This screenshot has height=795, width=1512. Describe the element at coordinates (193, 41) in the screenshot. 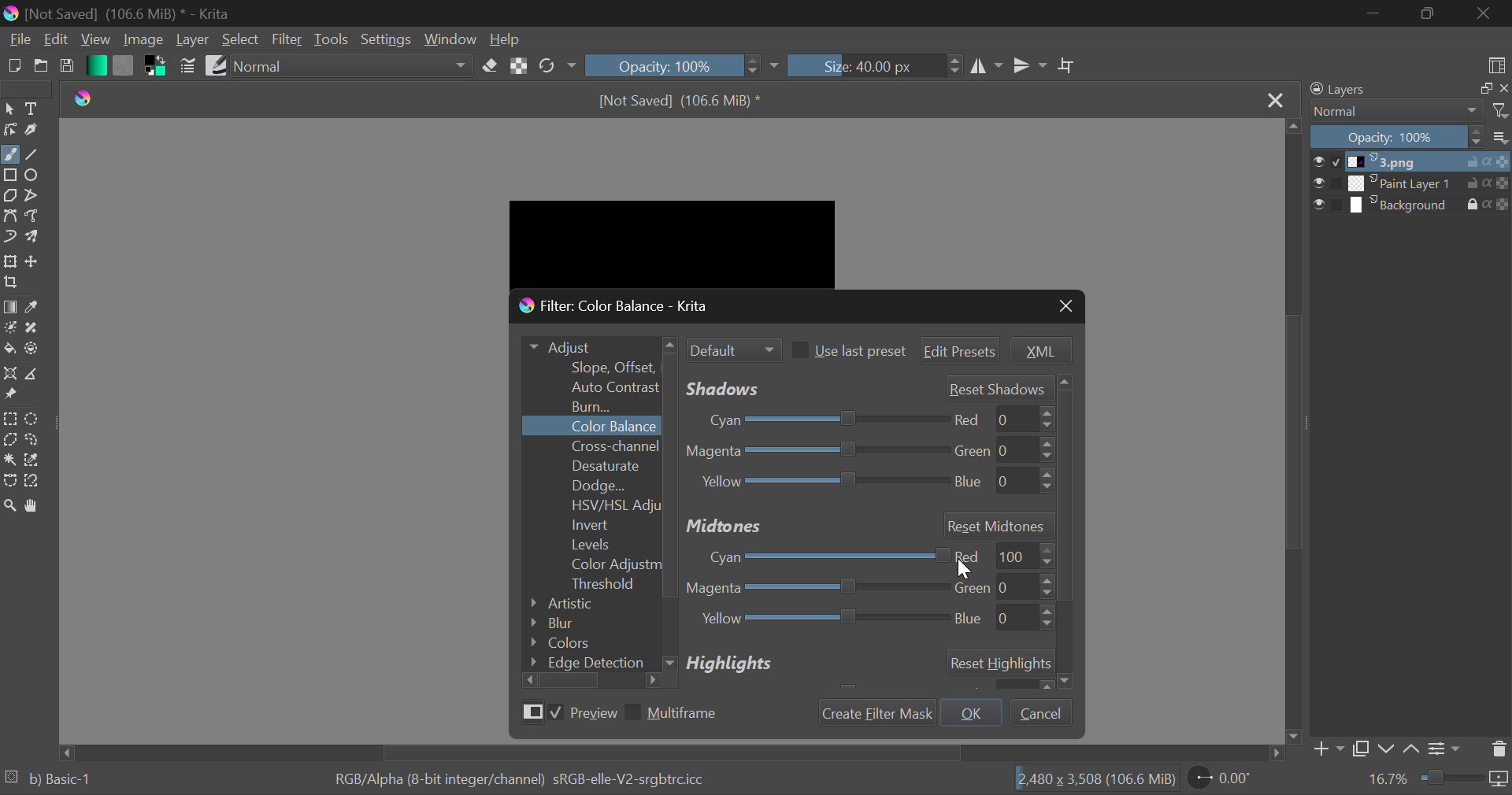

I see `Layer` at that location.